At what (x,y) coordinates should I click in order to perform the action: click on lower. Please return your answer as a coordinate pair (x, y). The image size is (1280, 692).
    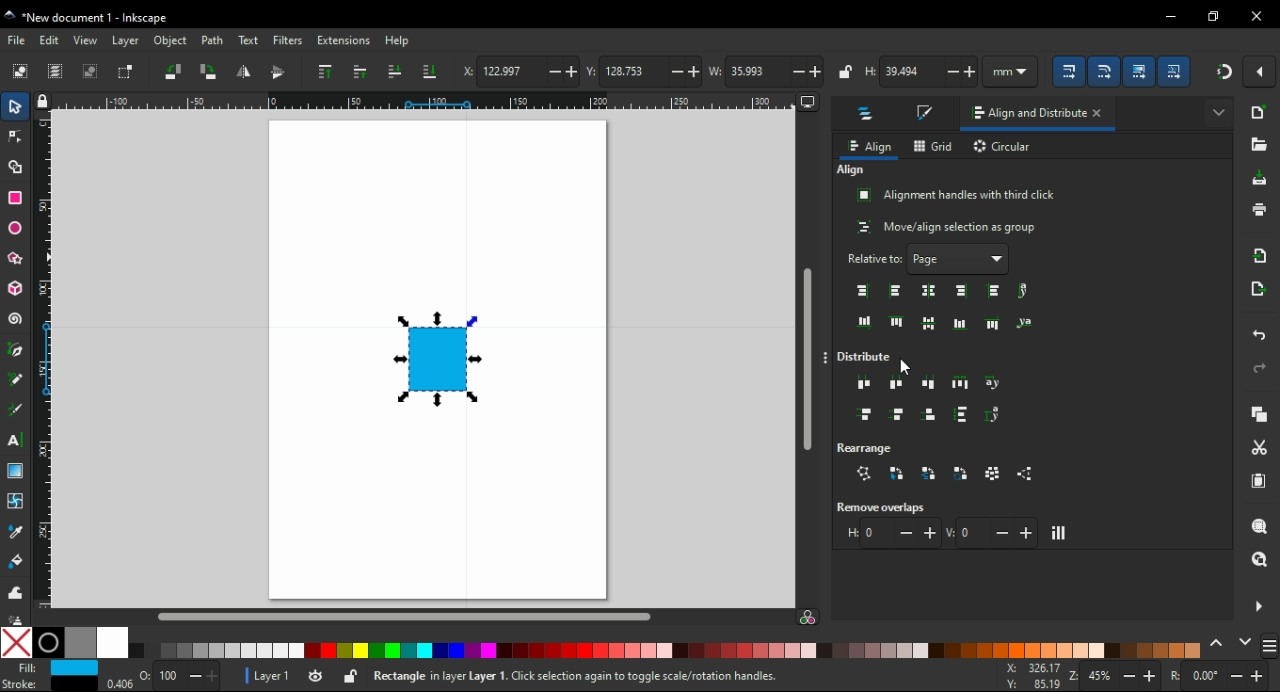
    Looking at the image, I should click on (394, 71).